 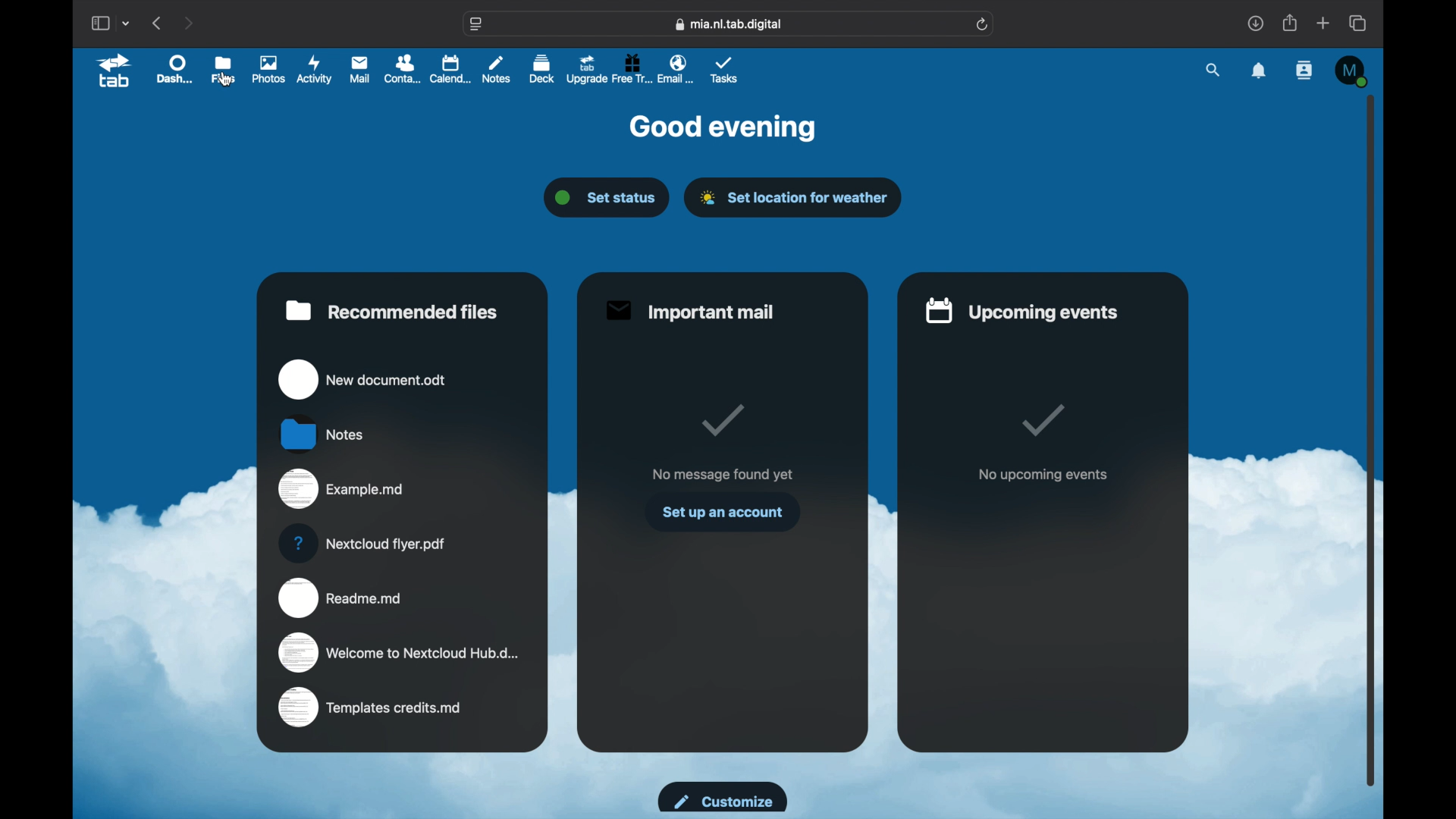 I want to click on upgrade, so click(x=587, y=71).